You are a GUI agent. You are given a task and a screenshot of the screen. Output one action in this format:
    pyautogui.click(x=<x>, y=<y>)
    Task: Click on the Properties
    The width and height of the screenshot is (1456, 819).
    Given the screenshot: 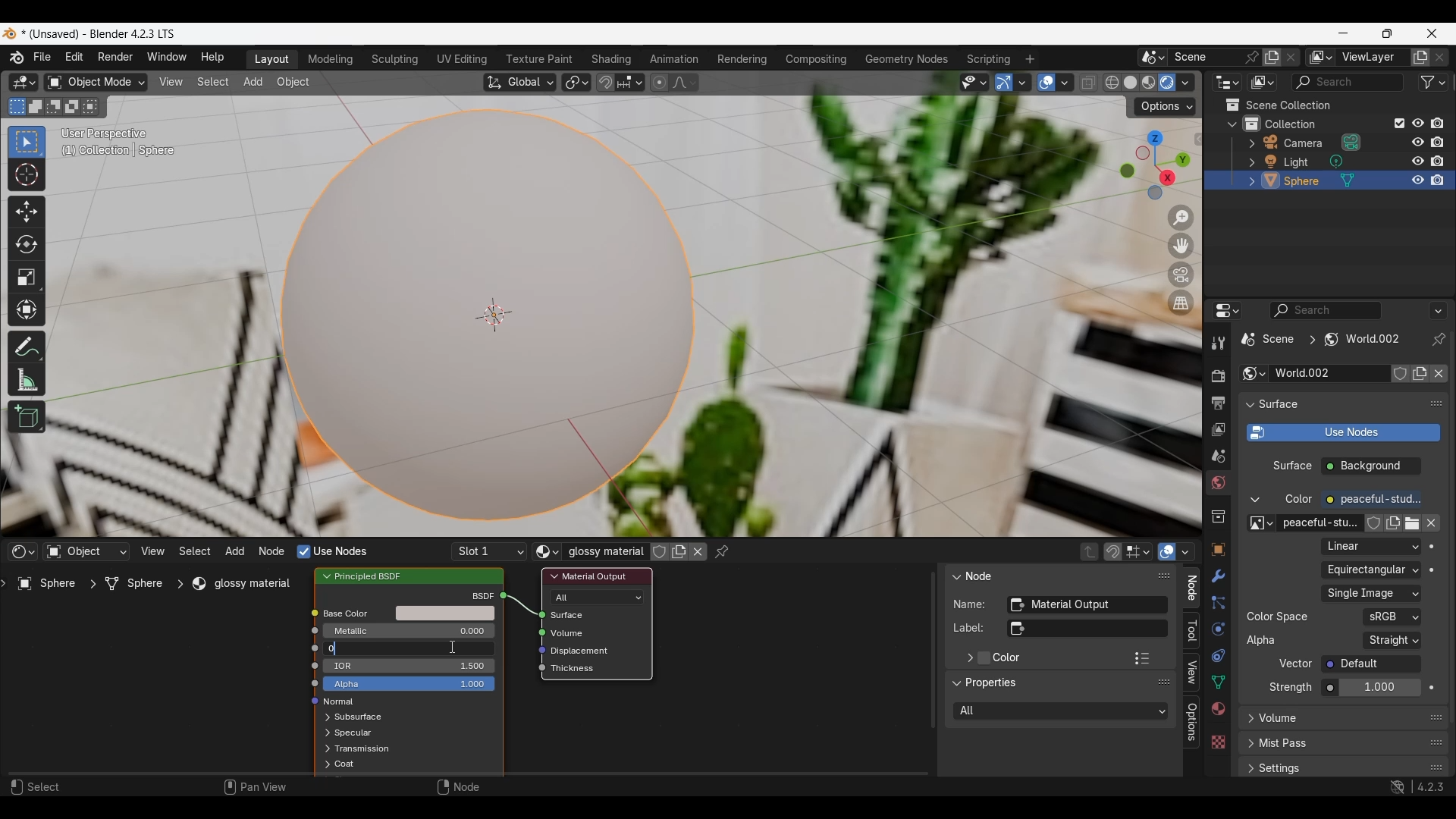 What is the action you would take?
    pyautogui.click(x=992, y=684)
    